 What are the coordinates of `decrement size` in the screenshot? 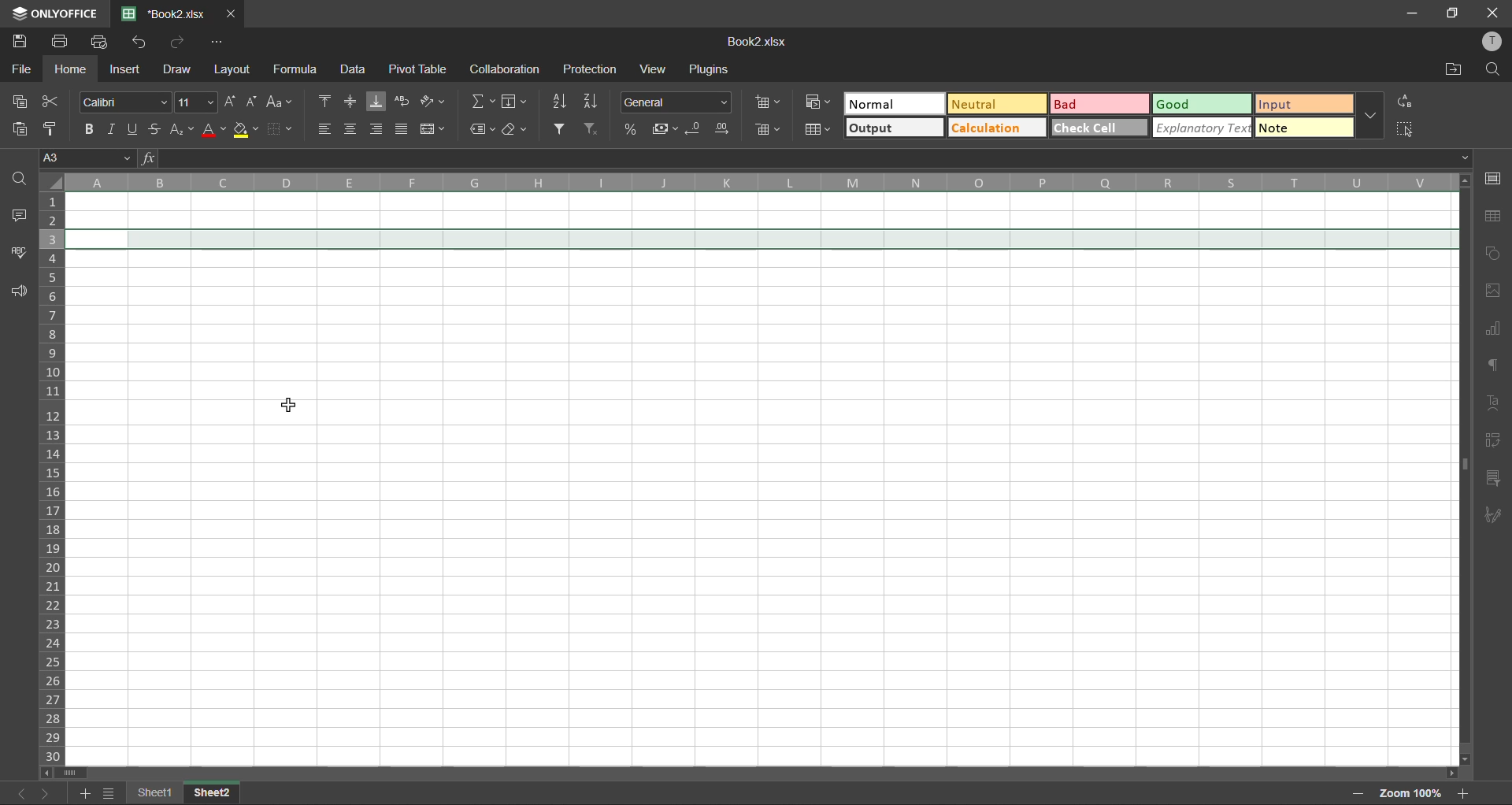 It's located at (252, 99).